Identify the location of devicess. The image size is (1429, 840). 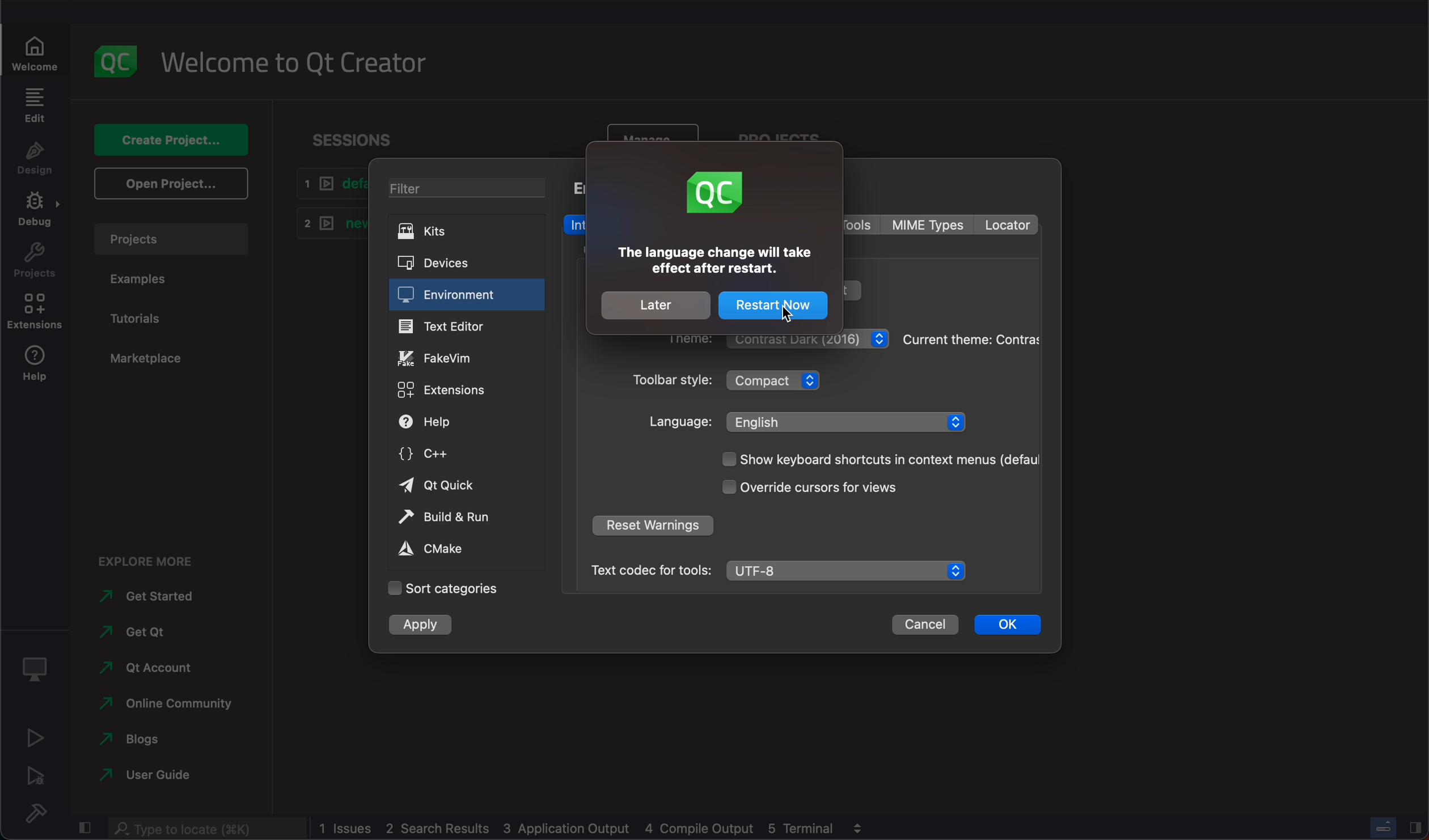
(463, 262).